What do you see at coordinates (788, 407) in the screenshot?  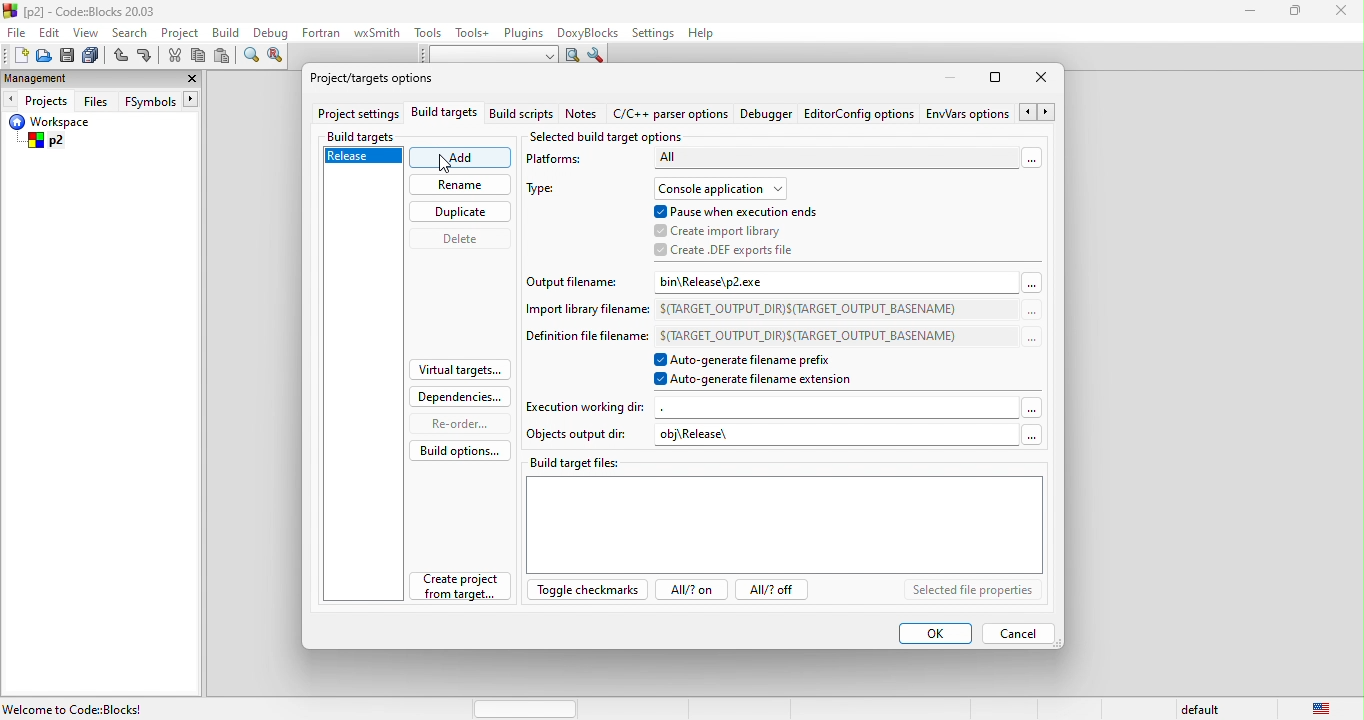 I see `execution working dir` at bounding box center [788, 407].